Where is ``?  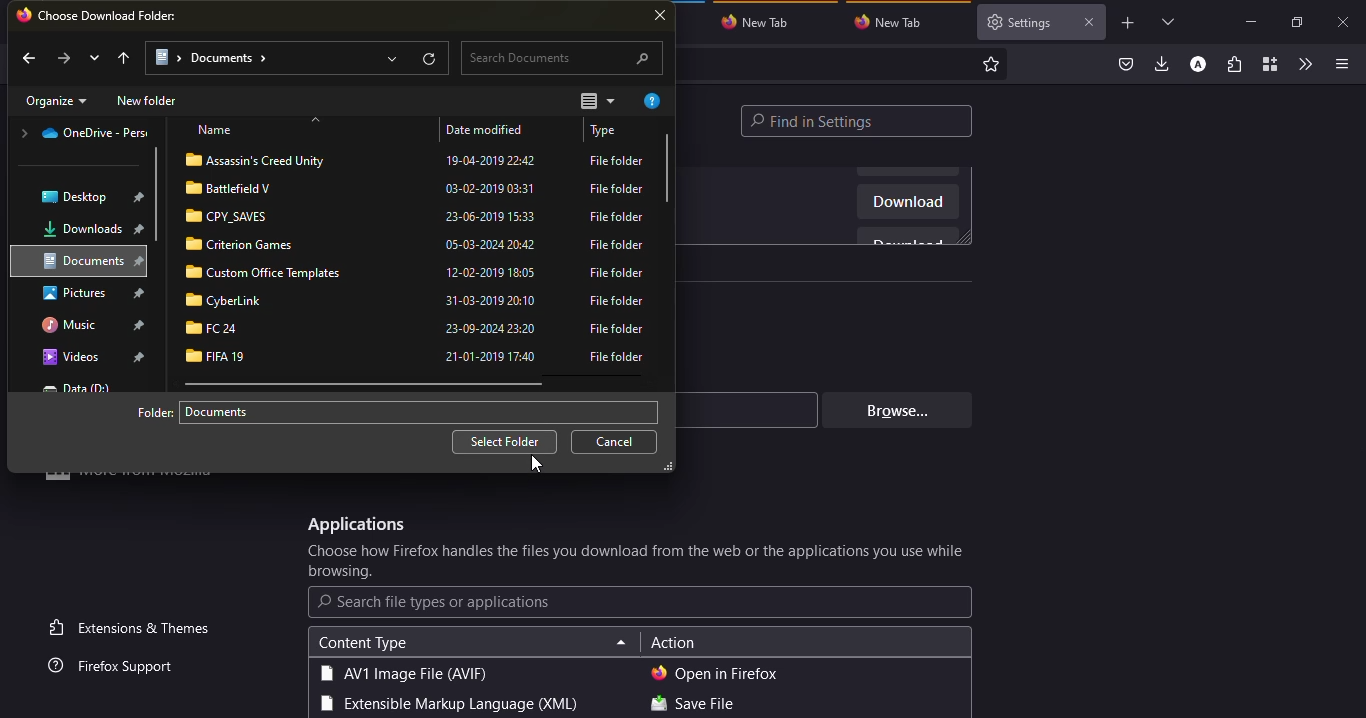
 is located at coordinates (492, 327).